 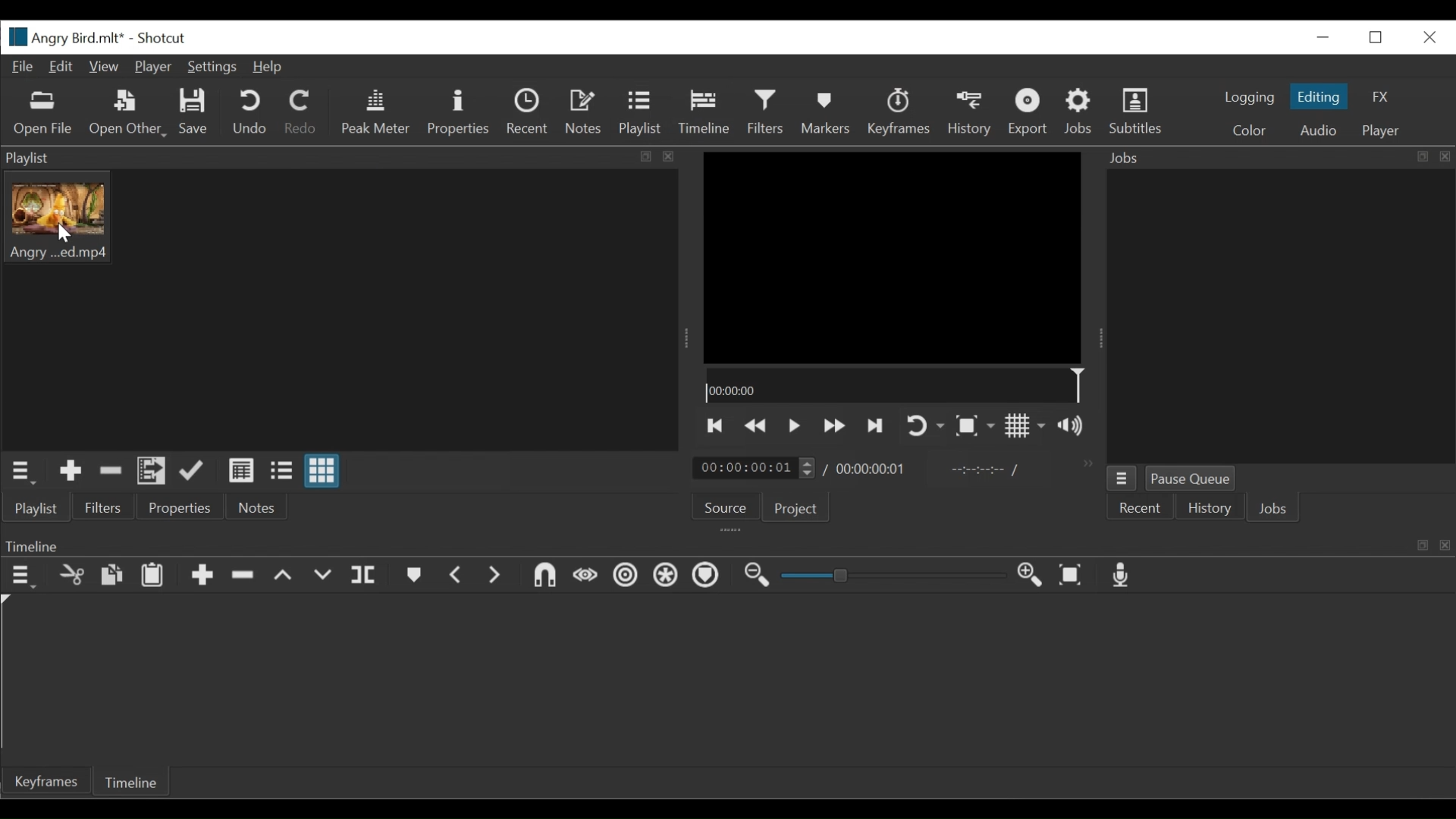 I want to click on Markers, so click(x=707, y=575).